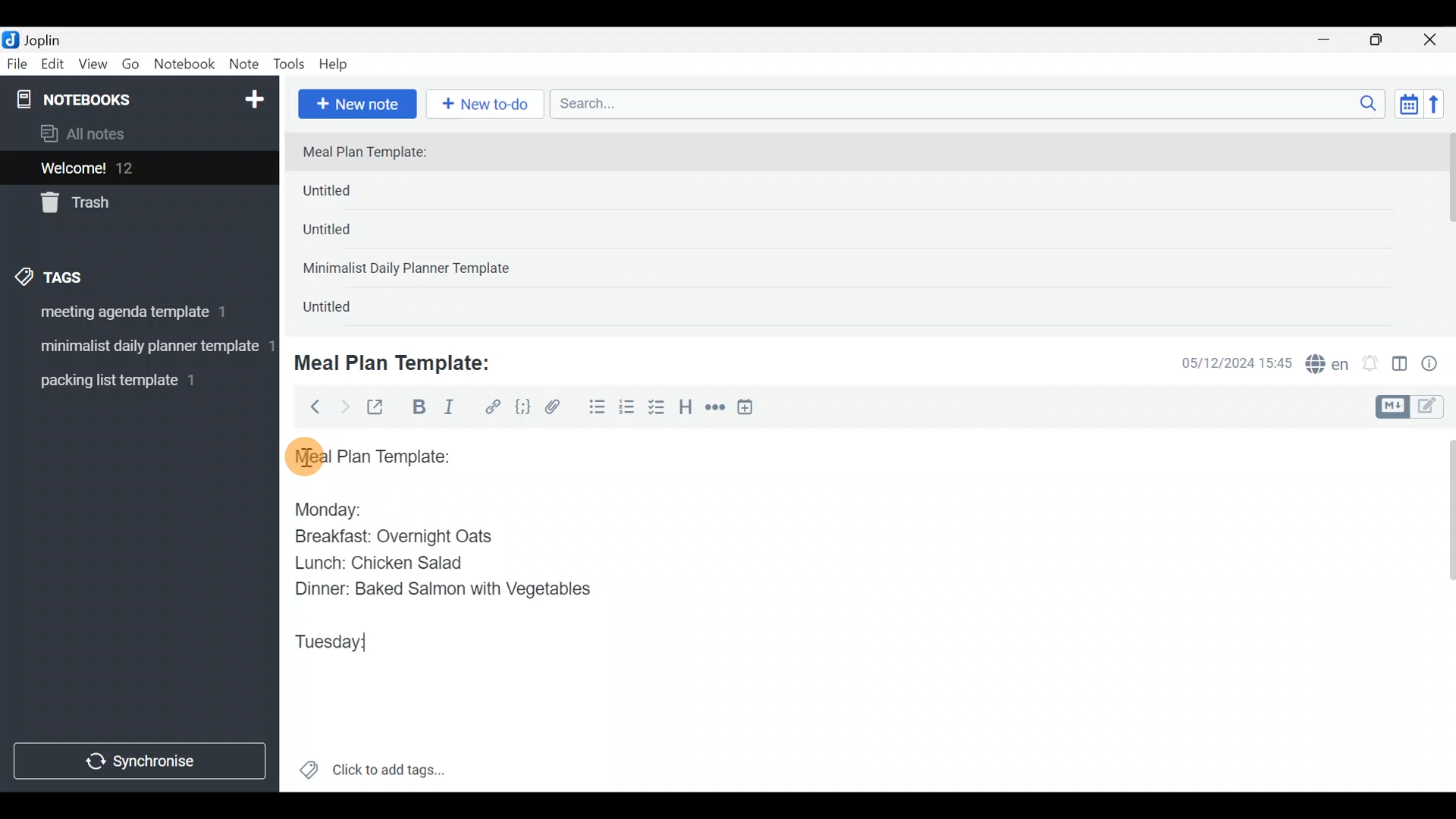 The width and height of the screenshot is (1456, 819). What do you see at coordinates (390, 645) in the screenshot?
I see `text Cursor` at bounding box center [390, 645].